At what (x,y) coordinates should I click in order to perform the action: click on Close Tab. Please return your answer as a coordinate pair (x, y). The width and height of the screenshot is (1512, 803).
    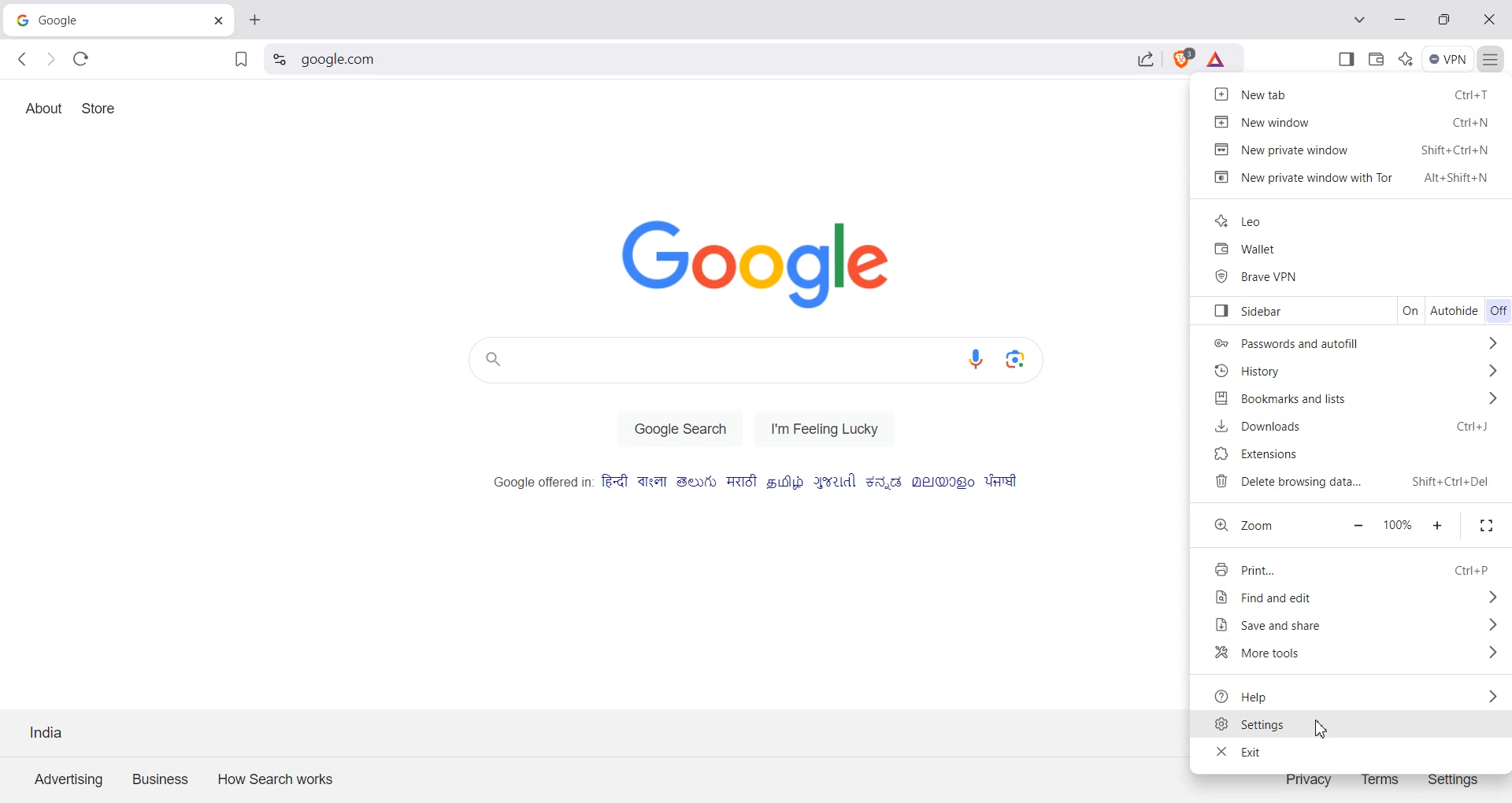
    Looking at the image, I should click on (253, 18).